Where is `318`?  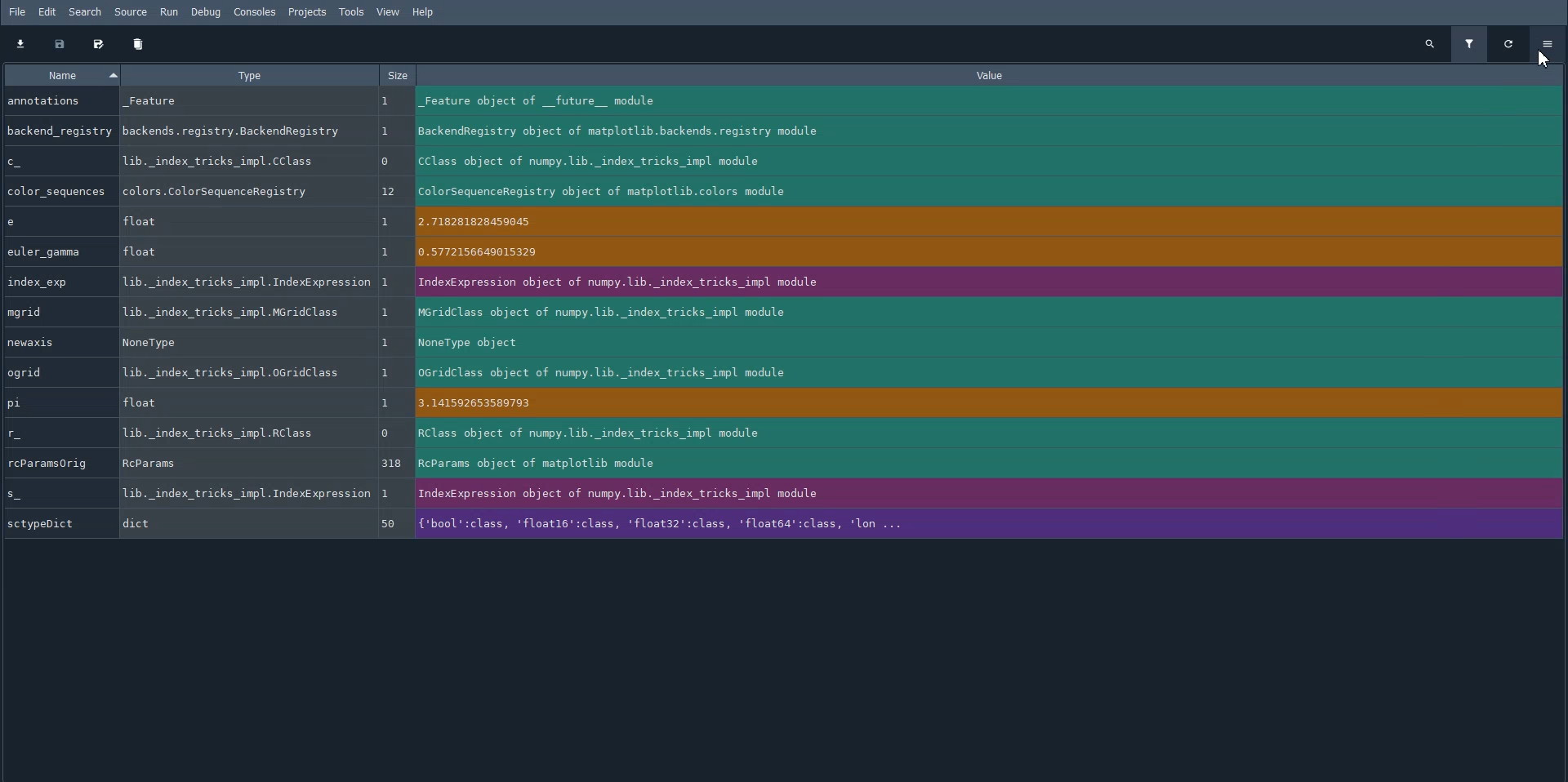
318 is located at coordinates (394, 464).